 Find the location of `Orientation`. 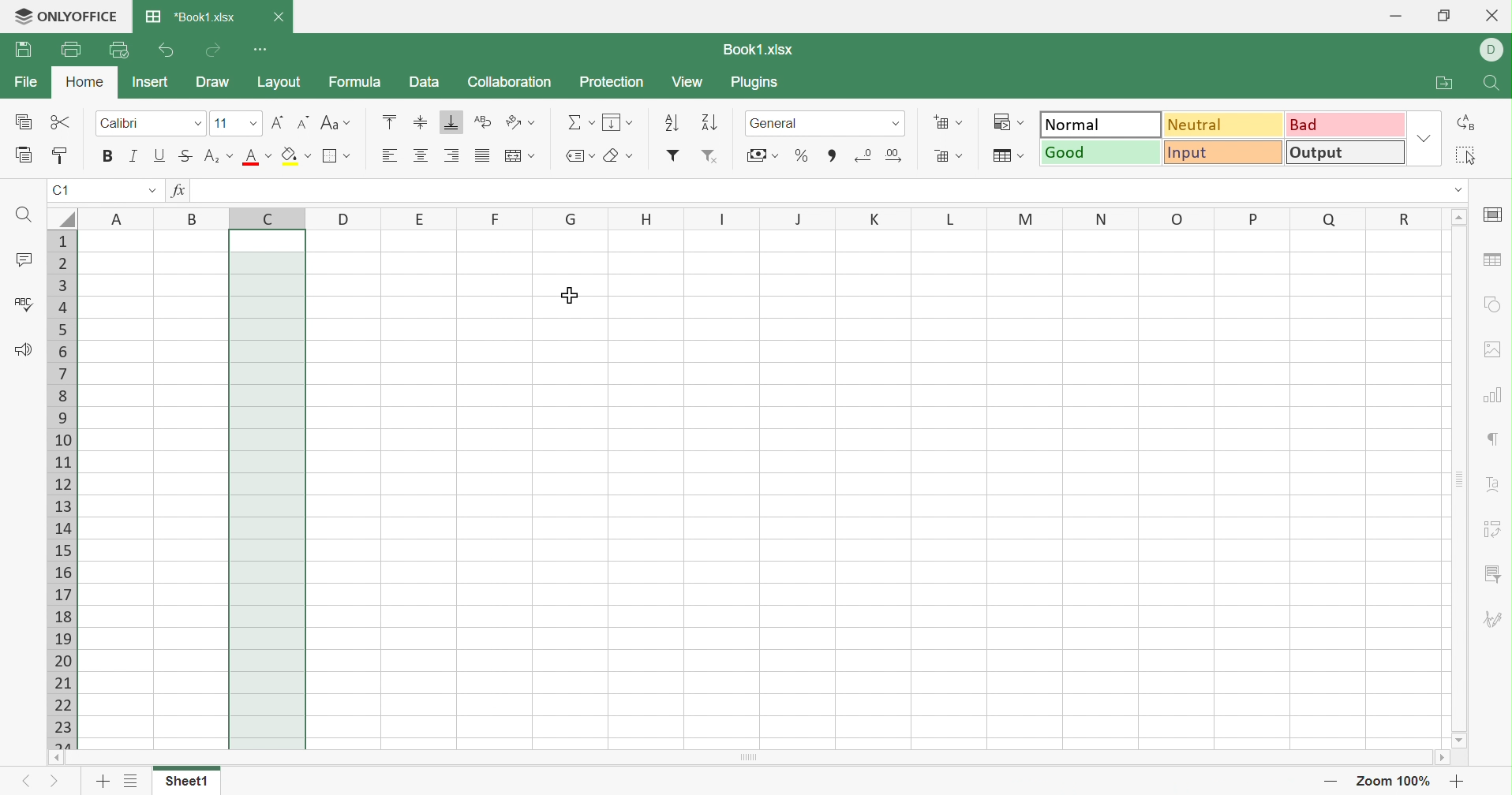

Orientation is located at coordinates (508, 121).